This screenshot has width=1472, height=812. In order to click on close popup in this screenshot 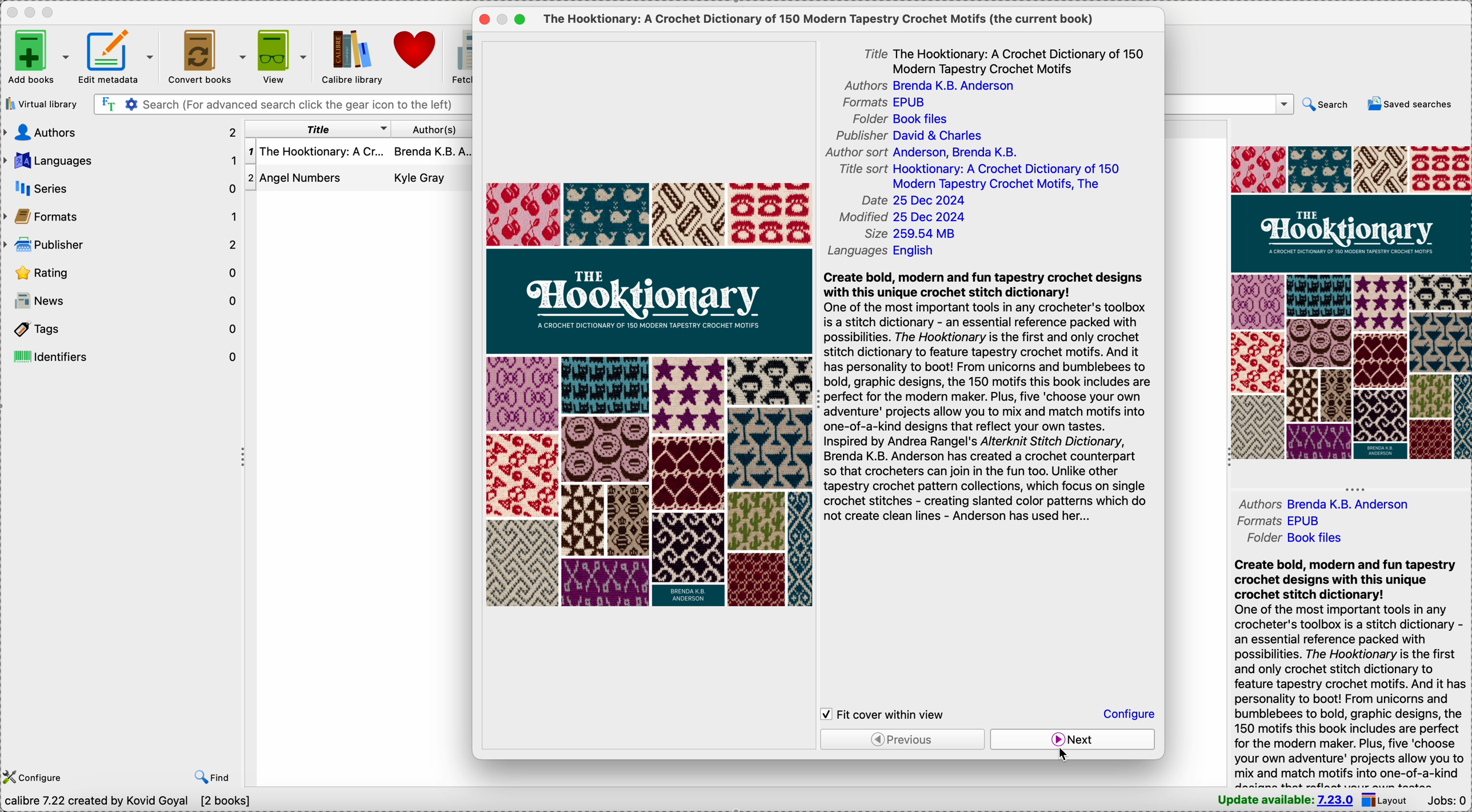, I will do `click(483, 21)`.